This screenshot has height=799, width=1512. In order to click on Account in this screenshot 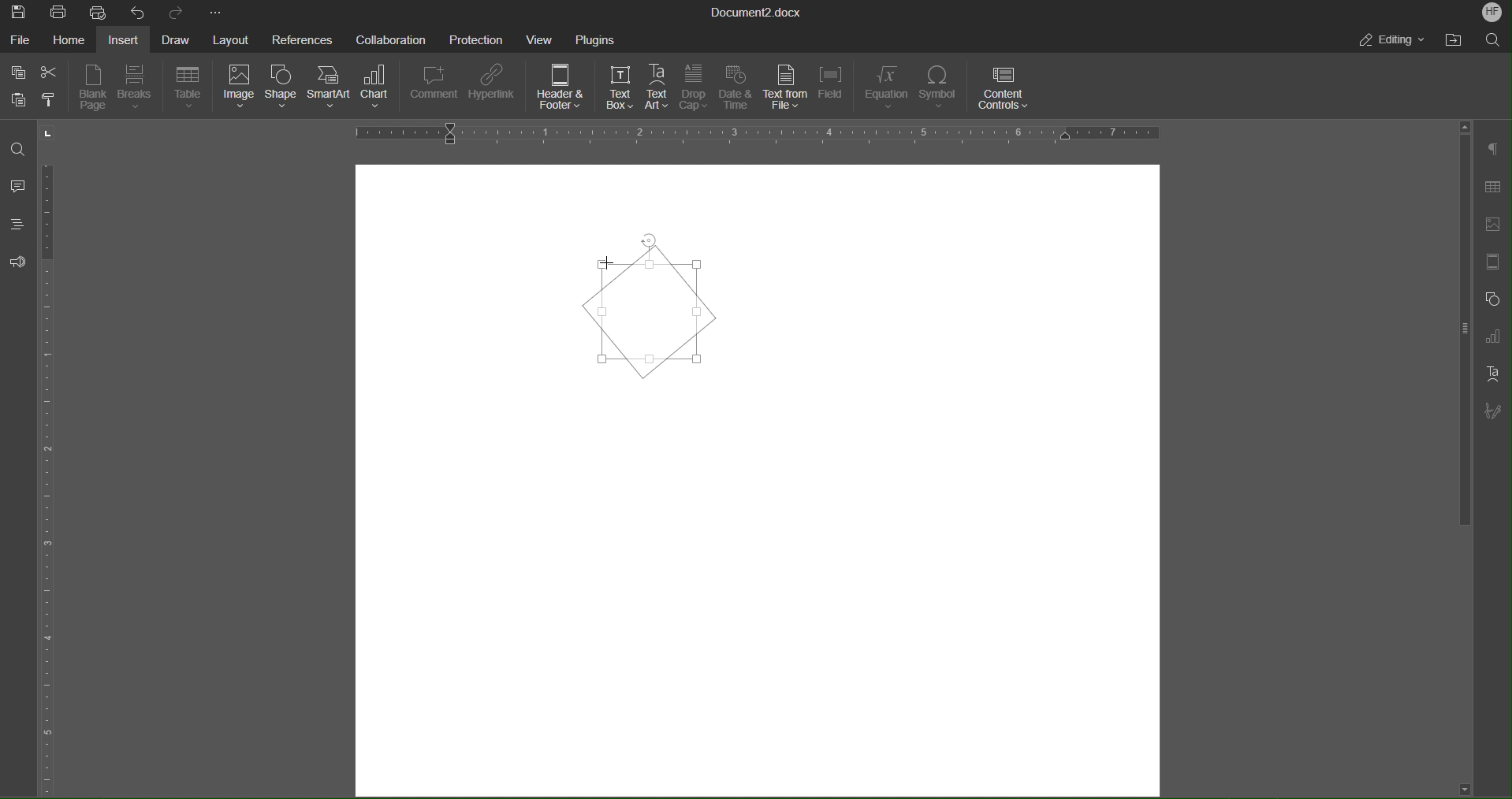, I will do `click(1492, 13)`.